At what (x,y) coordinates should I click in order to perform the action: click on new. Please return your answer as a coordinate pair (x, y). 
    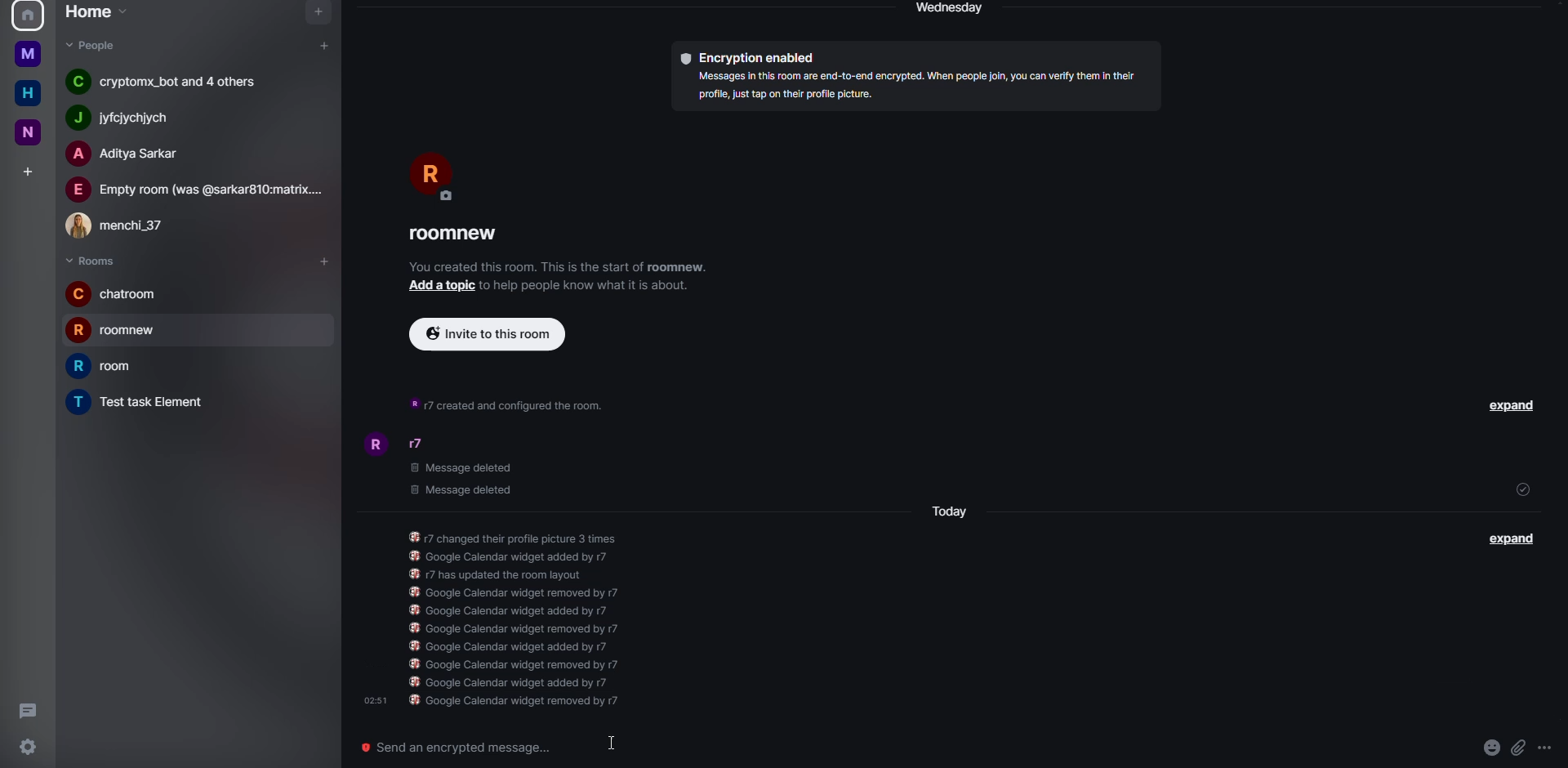
    Looking at the image, I should click on (29, 134).